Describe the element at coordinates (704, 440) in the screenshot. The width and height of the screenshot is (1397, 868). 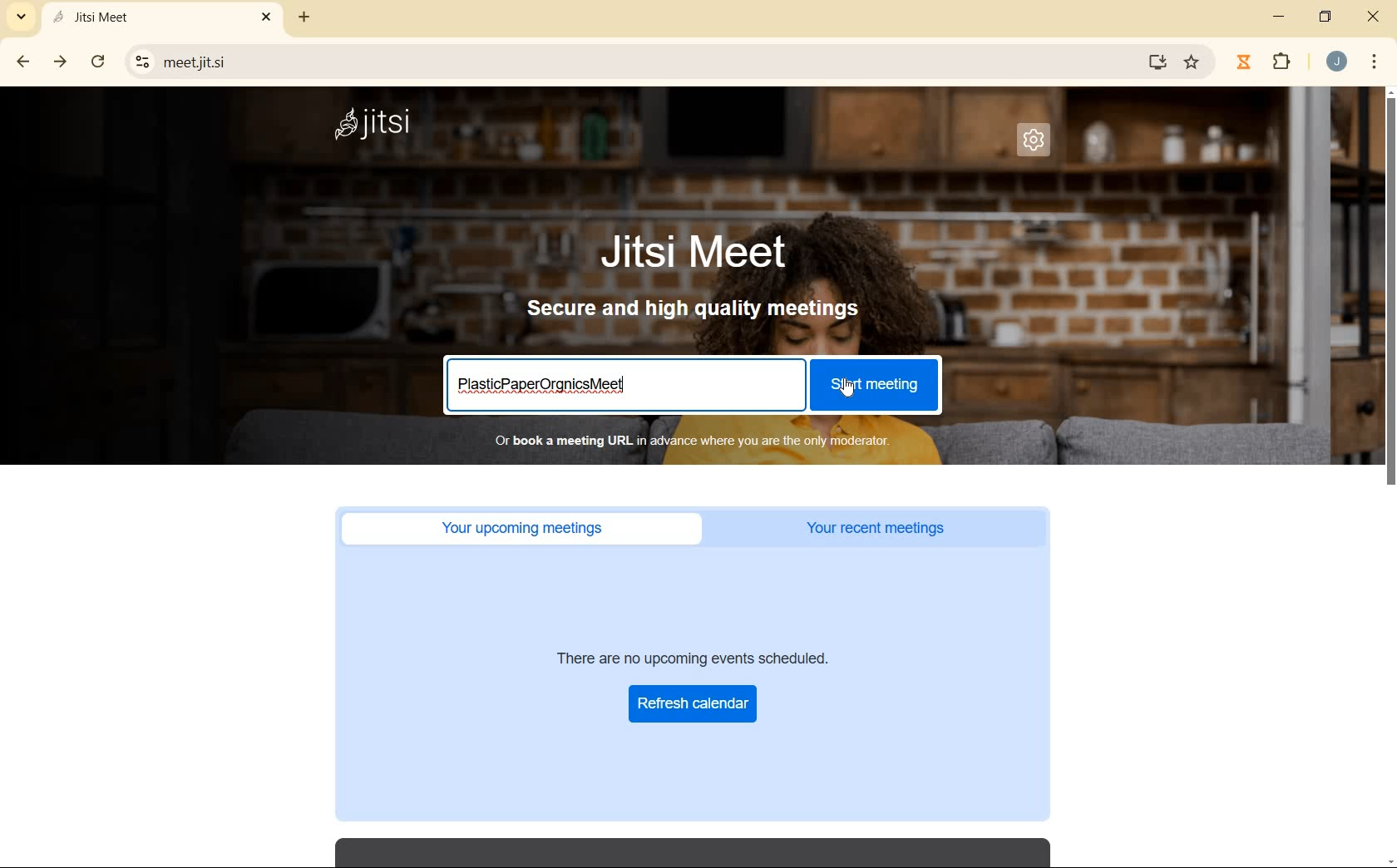
I see `or book a meeting URL in advance` at that location.